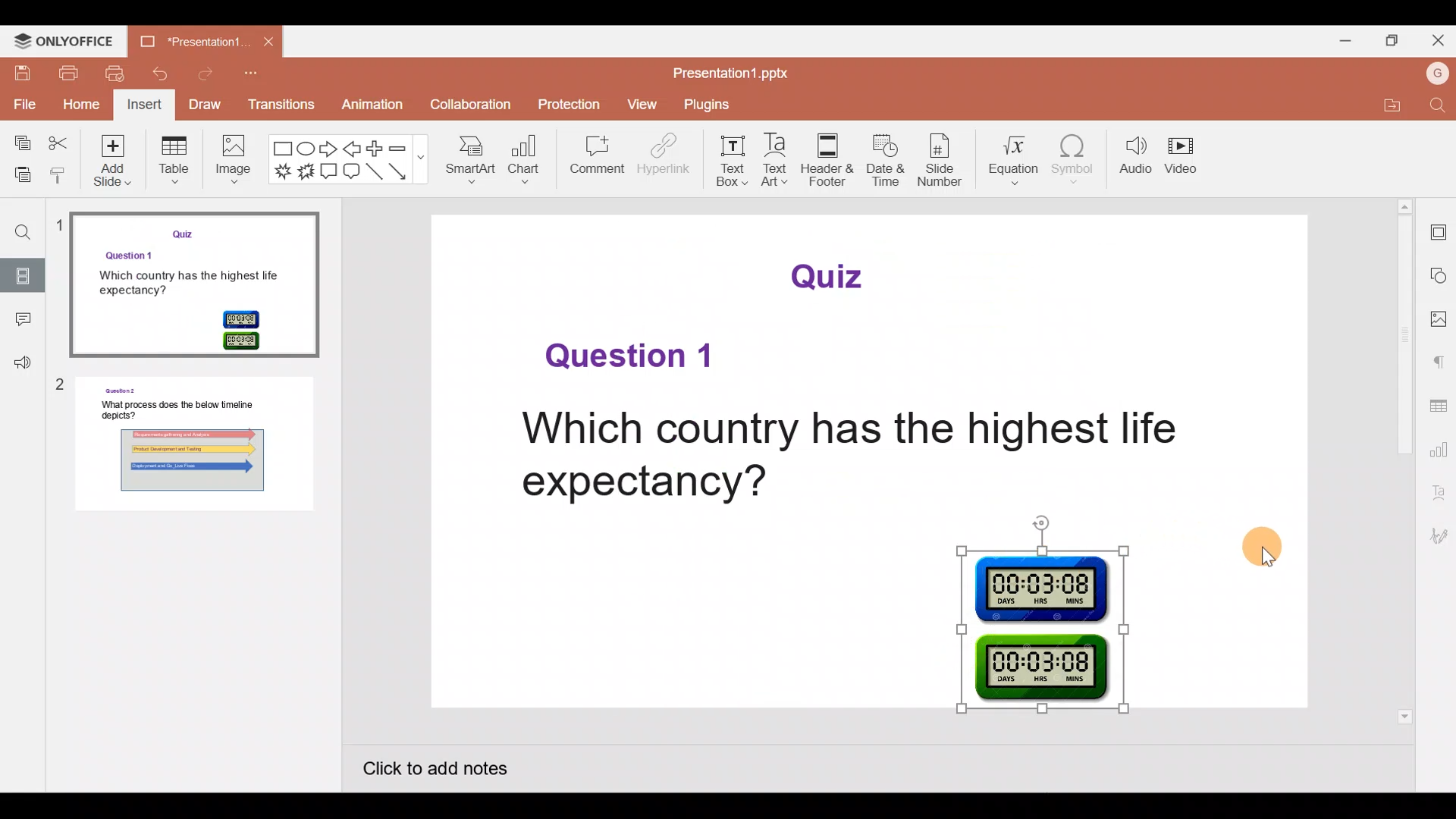 This screenshot has height=819, width=1456. Describe the element at coordinates (209, 104) in the screenshot. I see `Draw` at that location.